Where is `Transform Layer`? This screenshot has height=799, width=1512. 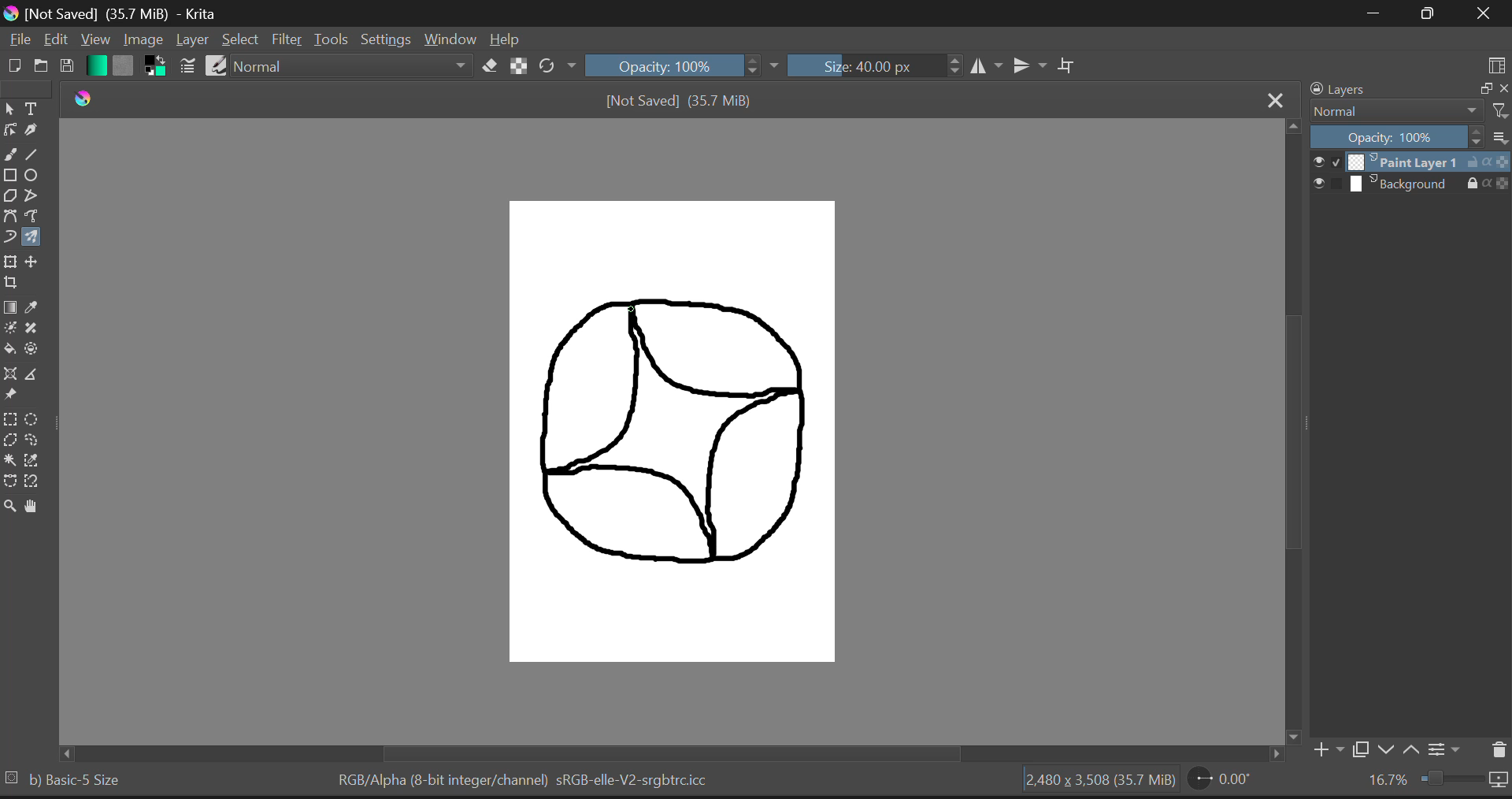
Transform Layer is located at coordinates (9, 262).